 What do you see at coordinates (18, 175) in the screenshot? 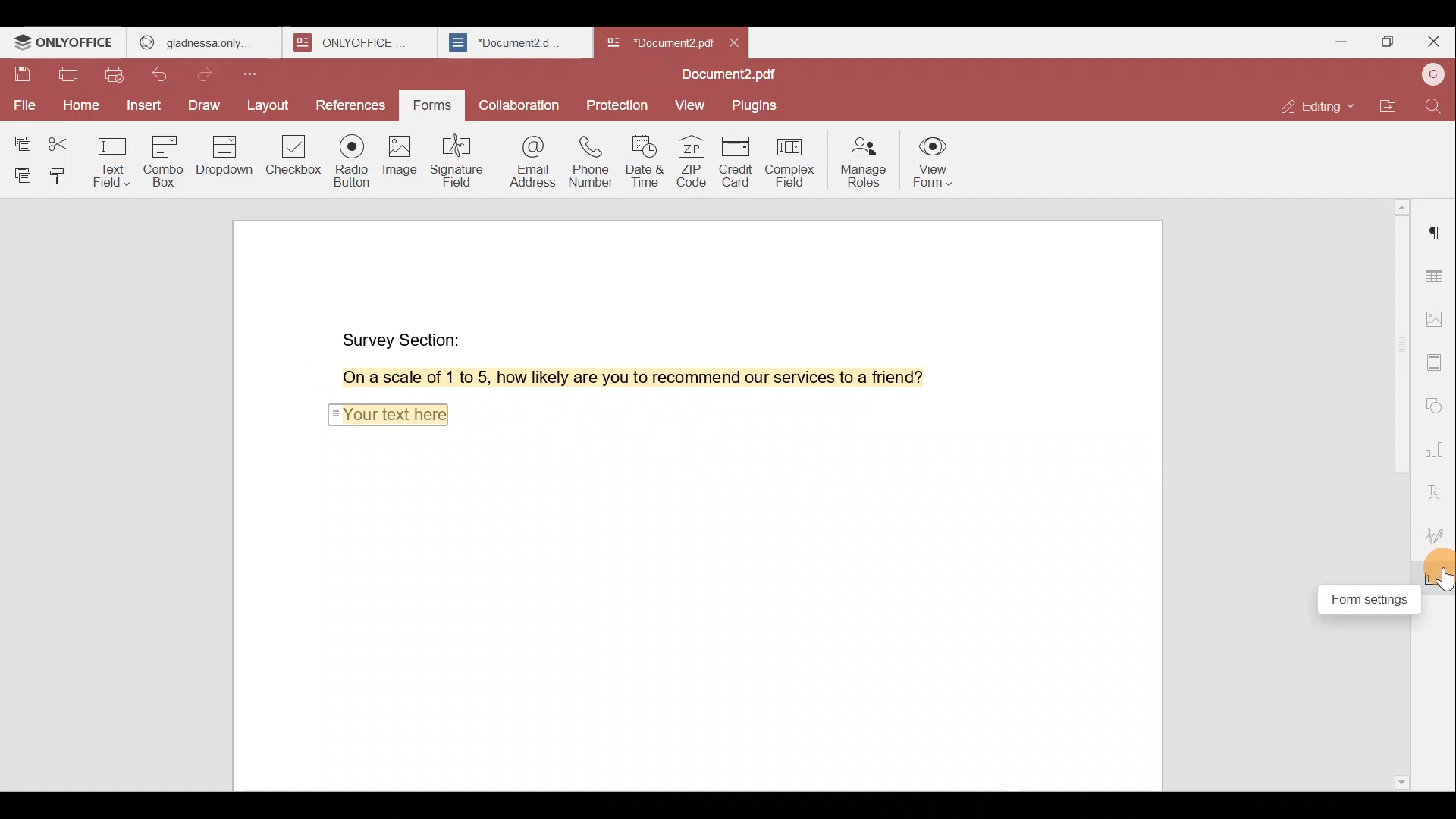
I see `Paste` at bounding box center [18, 175].